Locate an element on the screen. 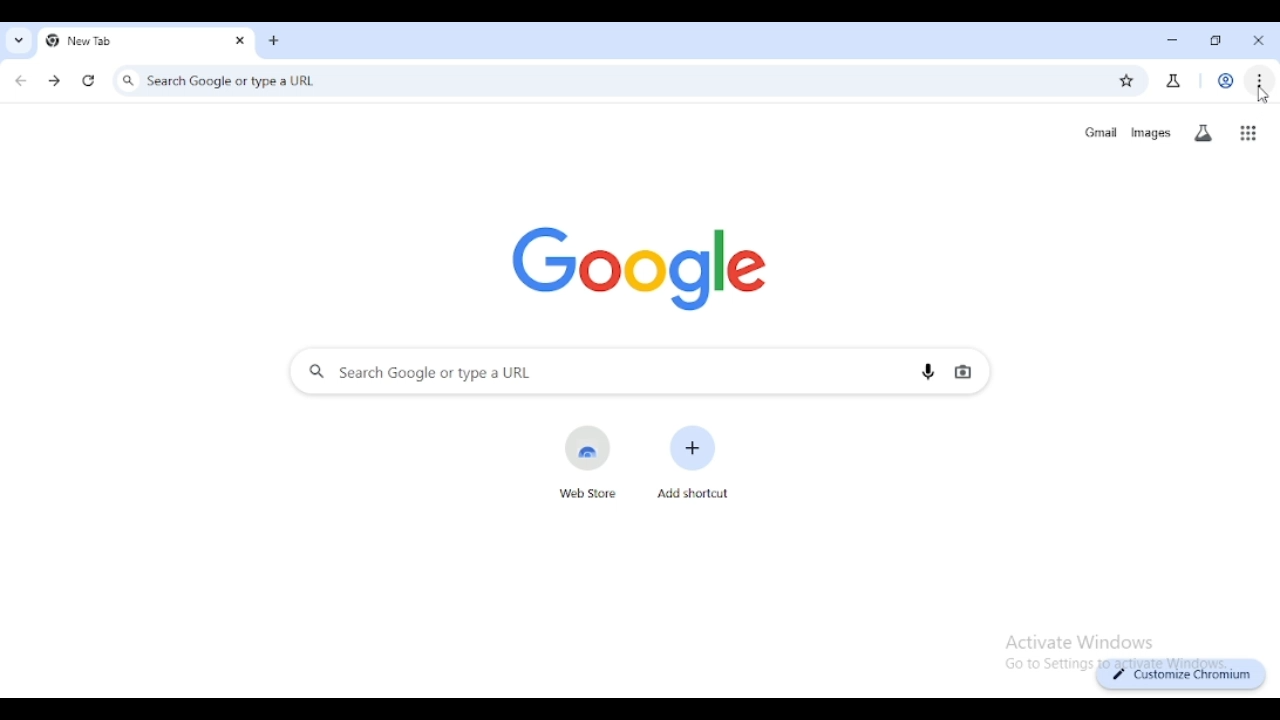  minimize is located at coordinates (1173, 41).